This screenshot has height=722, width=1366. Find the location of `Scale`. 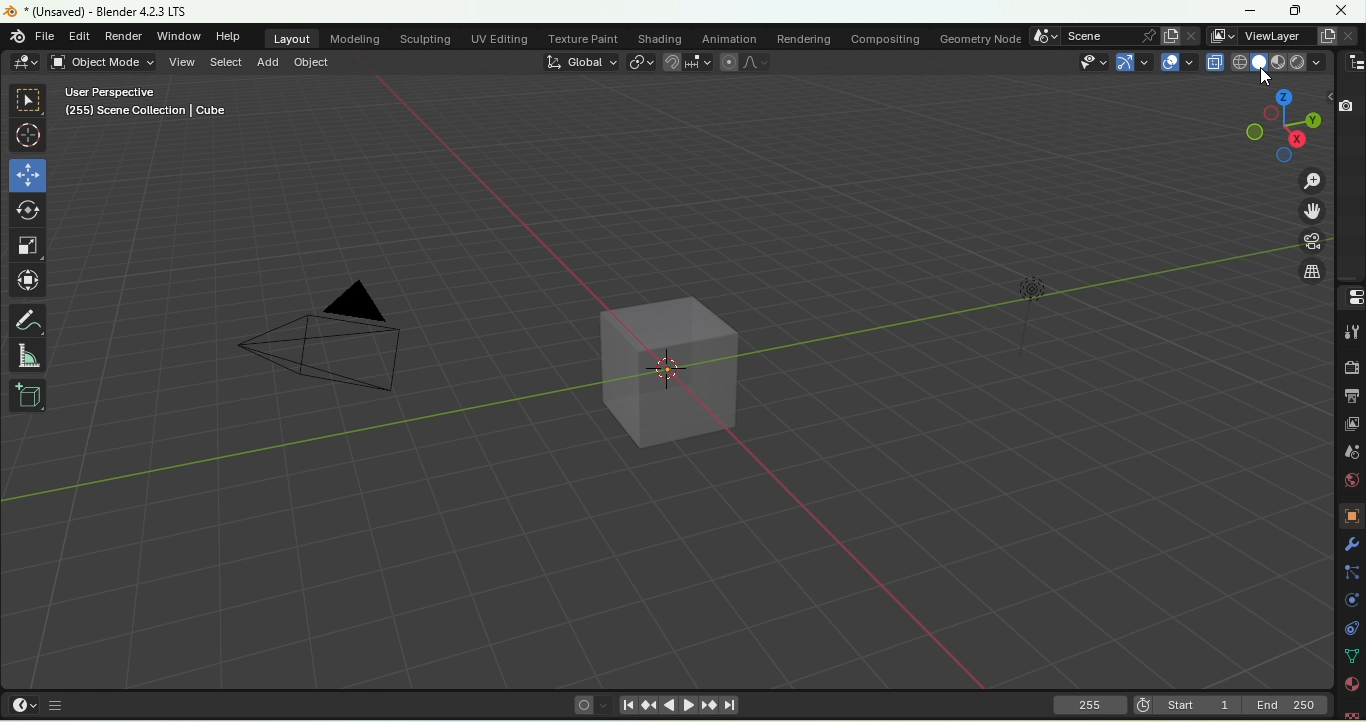

Scale is located at coordinates (29, 245).